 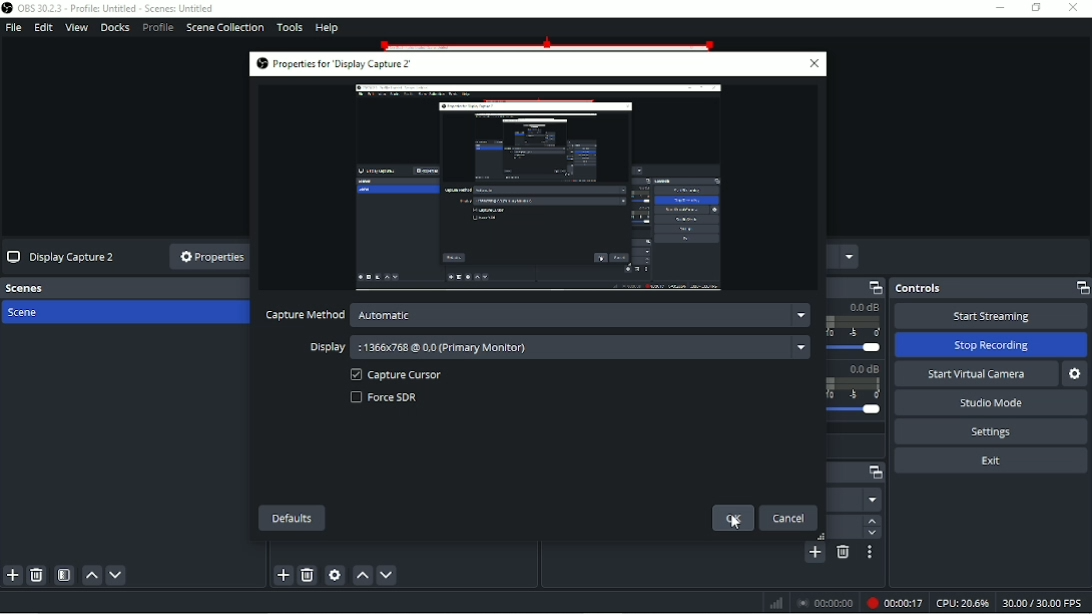 What do you see at coordinates (118, 9) in the screenshot?
I see `OBS 30.2.3 - Profile: Untitled - Scenes: Untitled` at bounding box center [118, 9].